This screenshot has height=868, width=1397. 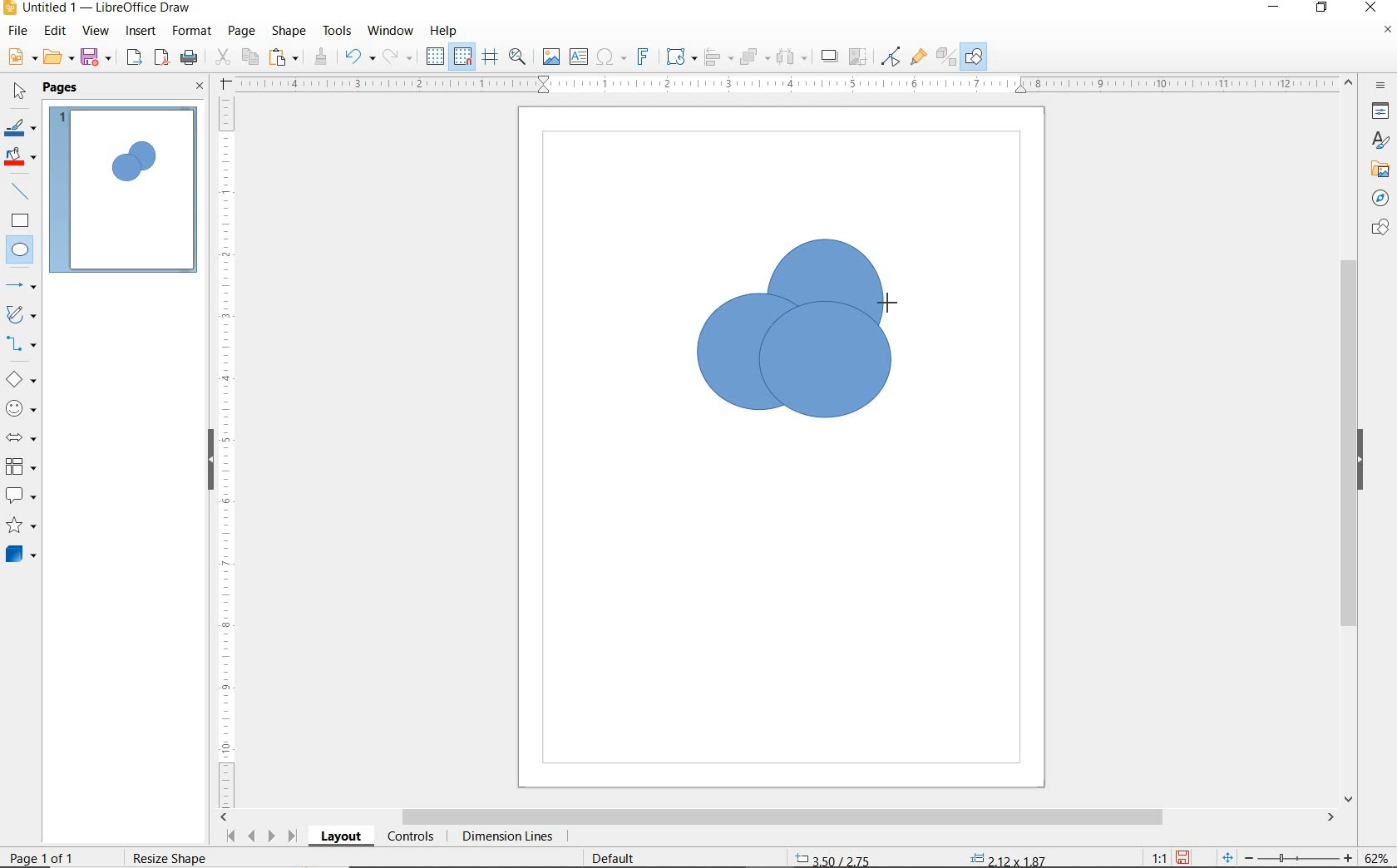 I want to click on NEW, so click(x=20, y=57).